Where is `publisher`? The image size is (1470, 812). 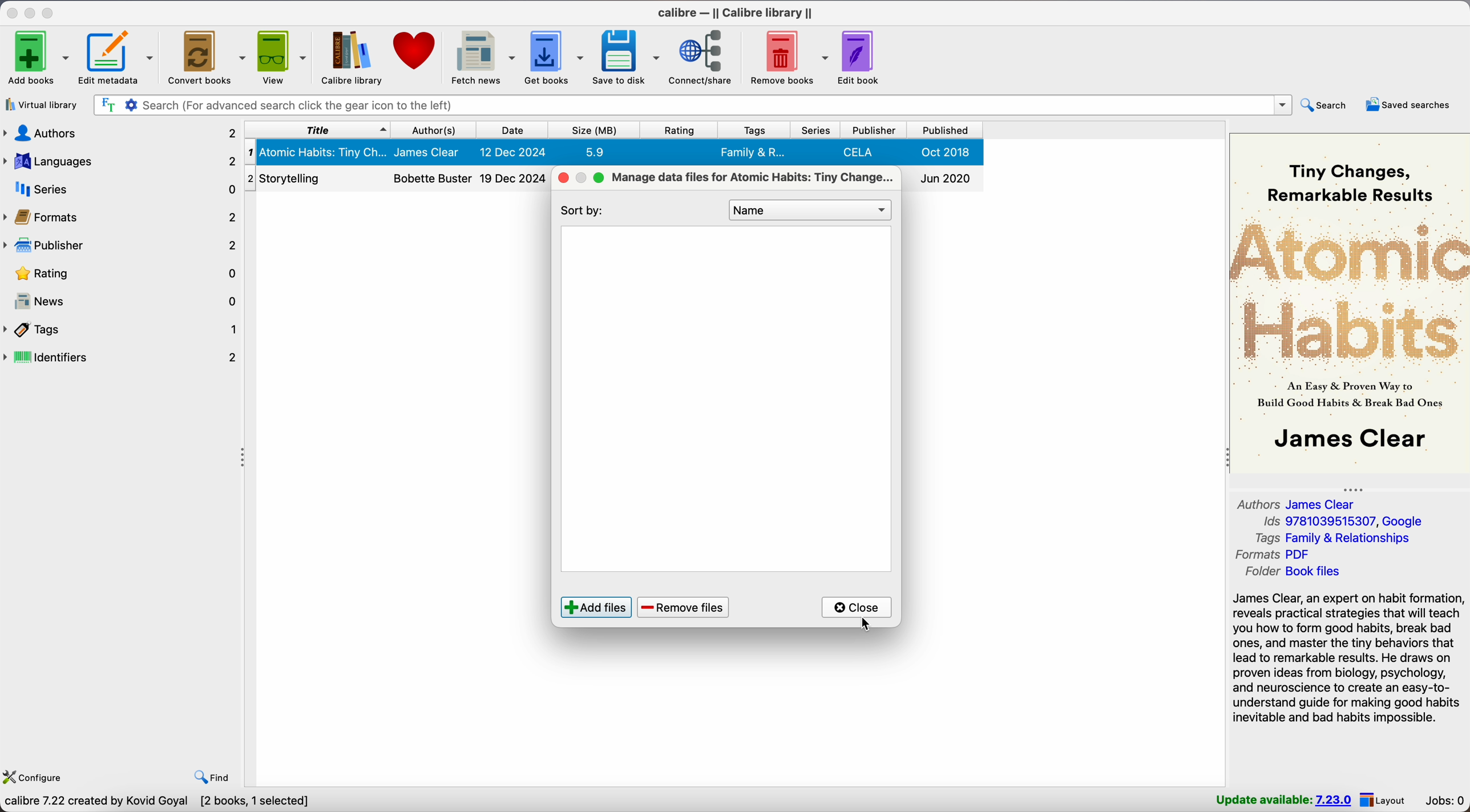
publisher is located at coordinates (122, 245).